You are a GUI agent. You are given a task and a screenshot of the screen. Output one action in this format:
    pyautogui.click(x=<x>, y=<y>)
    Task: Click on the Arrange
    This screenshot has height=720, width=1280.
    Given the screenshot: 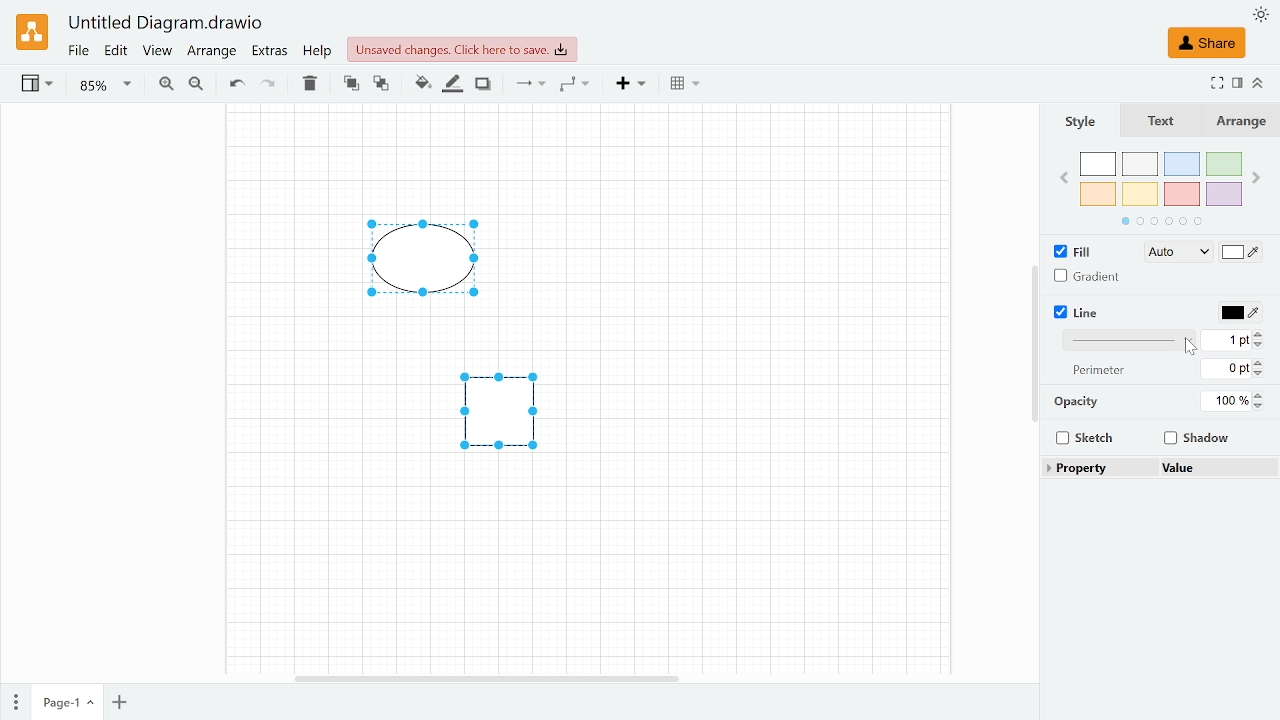 What is the action you would take?
    pyautogui.click(x=1241, y=121)
    